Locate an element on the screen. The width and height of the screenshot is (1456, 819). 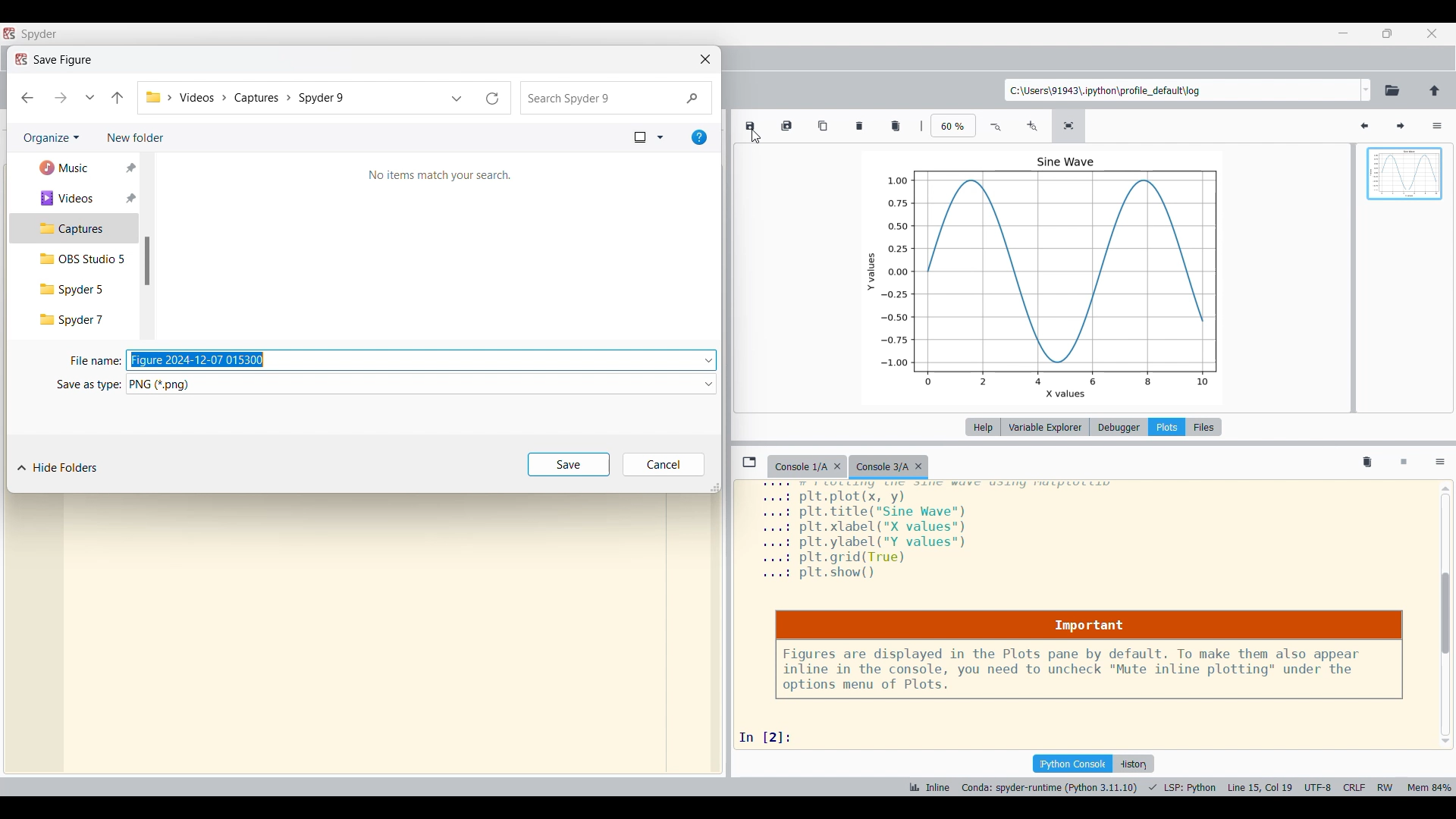
Remove all plots is located at coordinates (896, 126).